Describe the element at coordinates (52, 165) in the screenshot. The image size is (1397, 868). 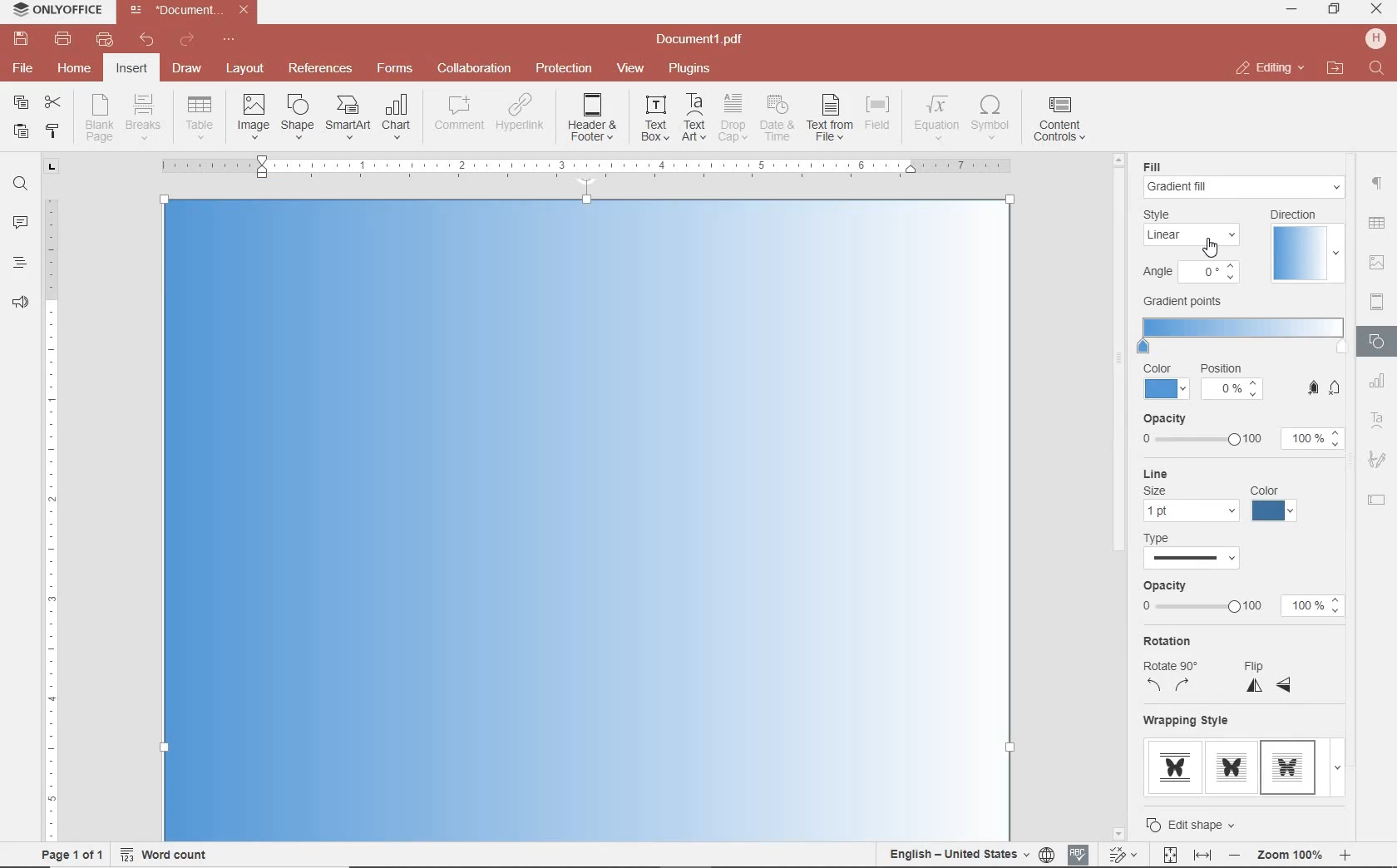
I see `tab stop` at that location.